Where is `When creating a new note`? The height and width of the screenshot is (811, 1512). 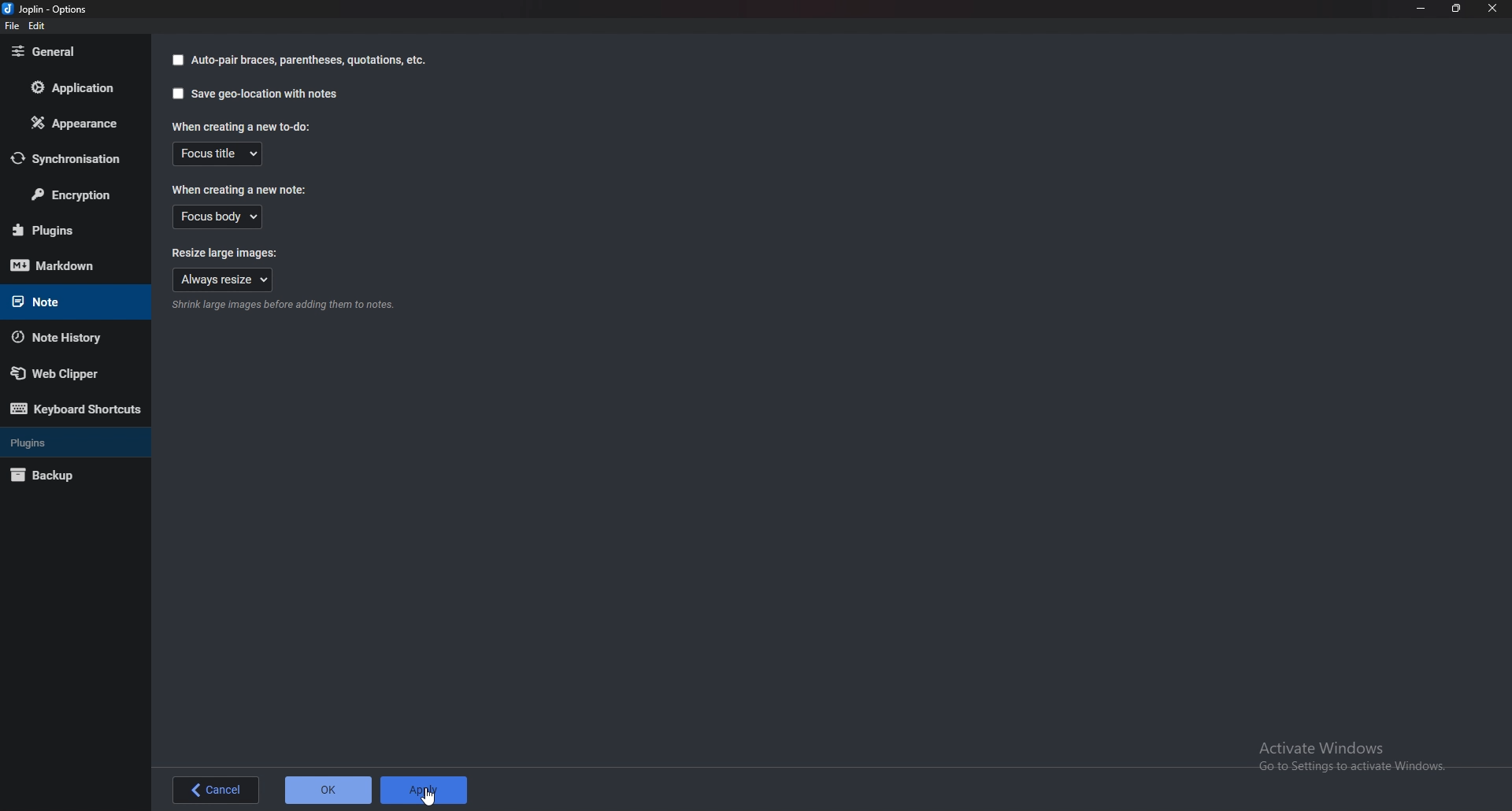 When creating a new note is located at coordinates (240, 188).